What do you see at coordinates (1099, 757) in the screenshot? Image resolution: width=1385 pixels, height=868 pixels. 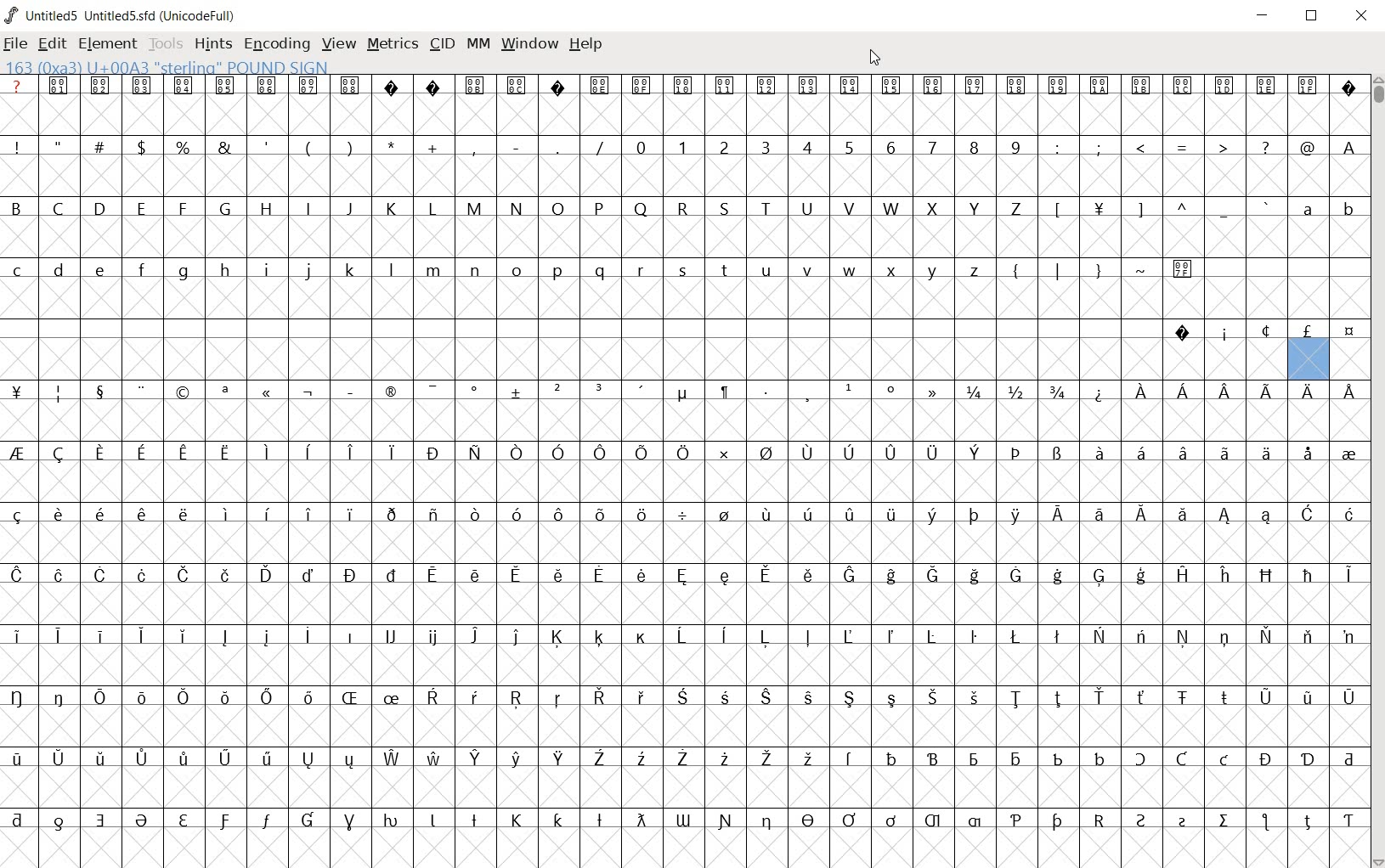 I see `Symbol` at bounding box center [1099, 757].